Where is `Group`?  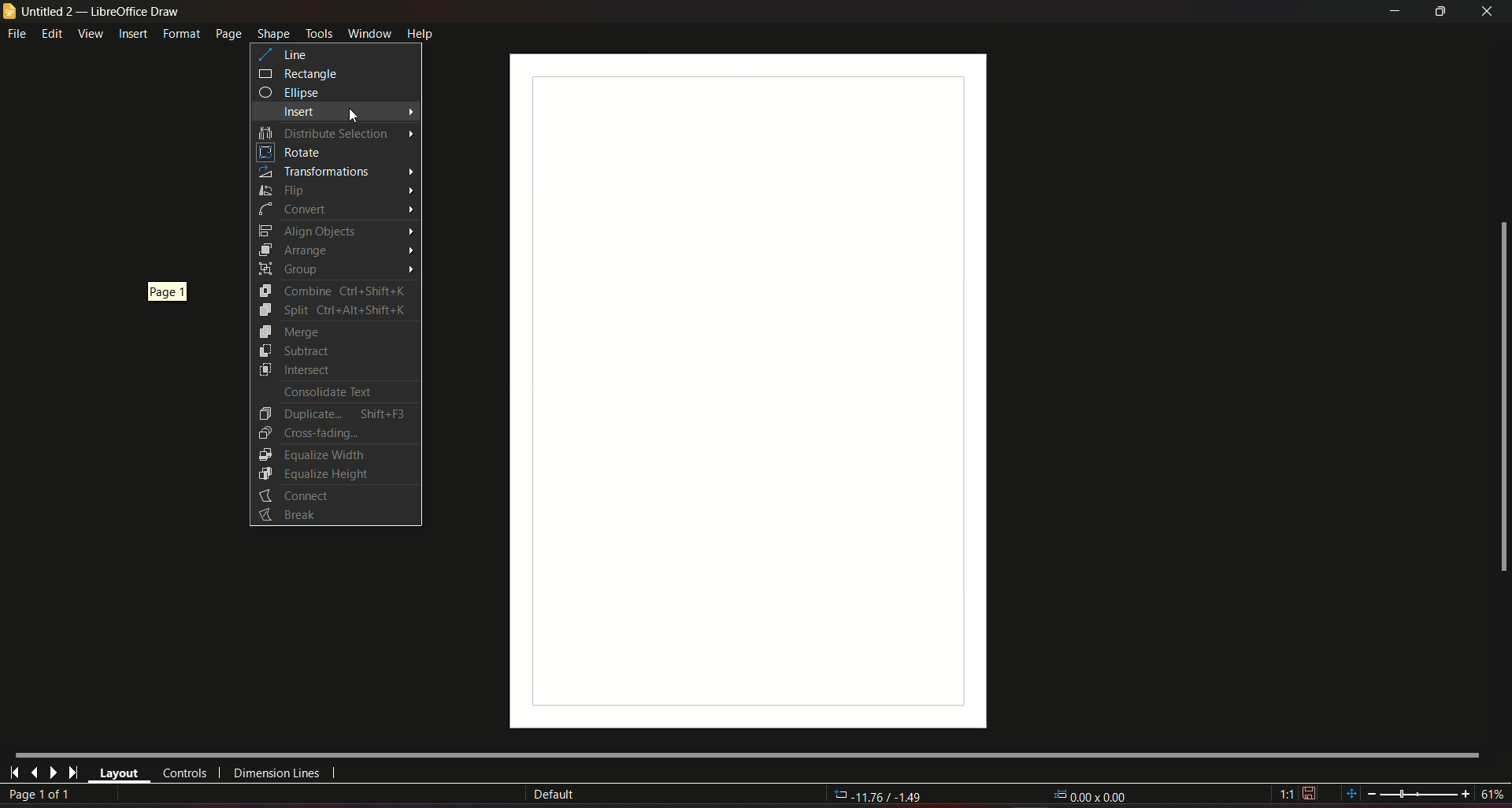
Group is located at coordinates (292, 269).